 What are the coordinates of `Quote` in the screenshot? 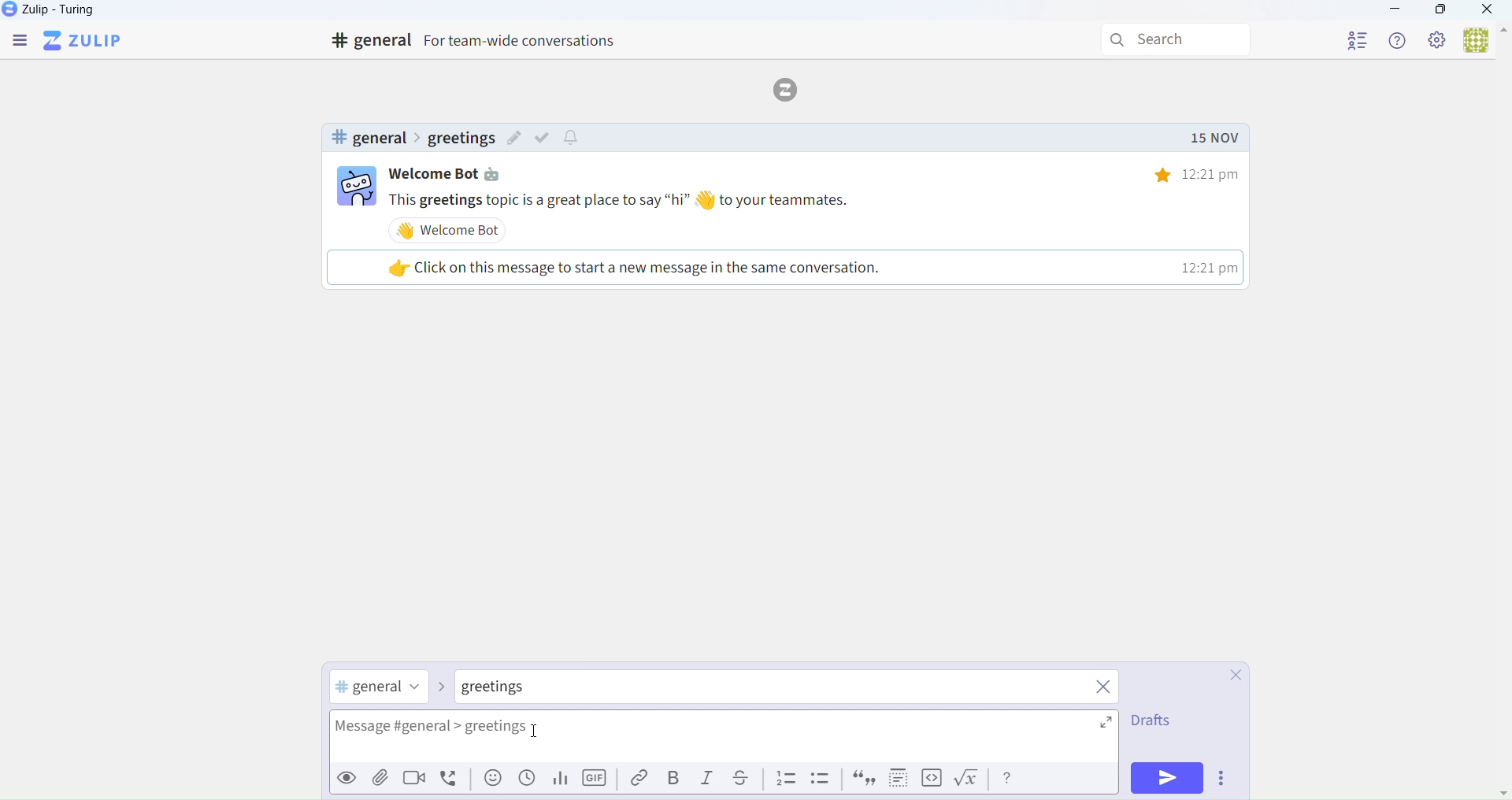 It's located at (862, 780).